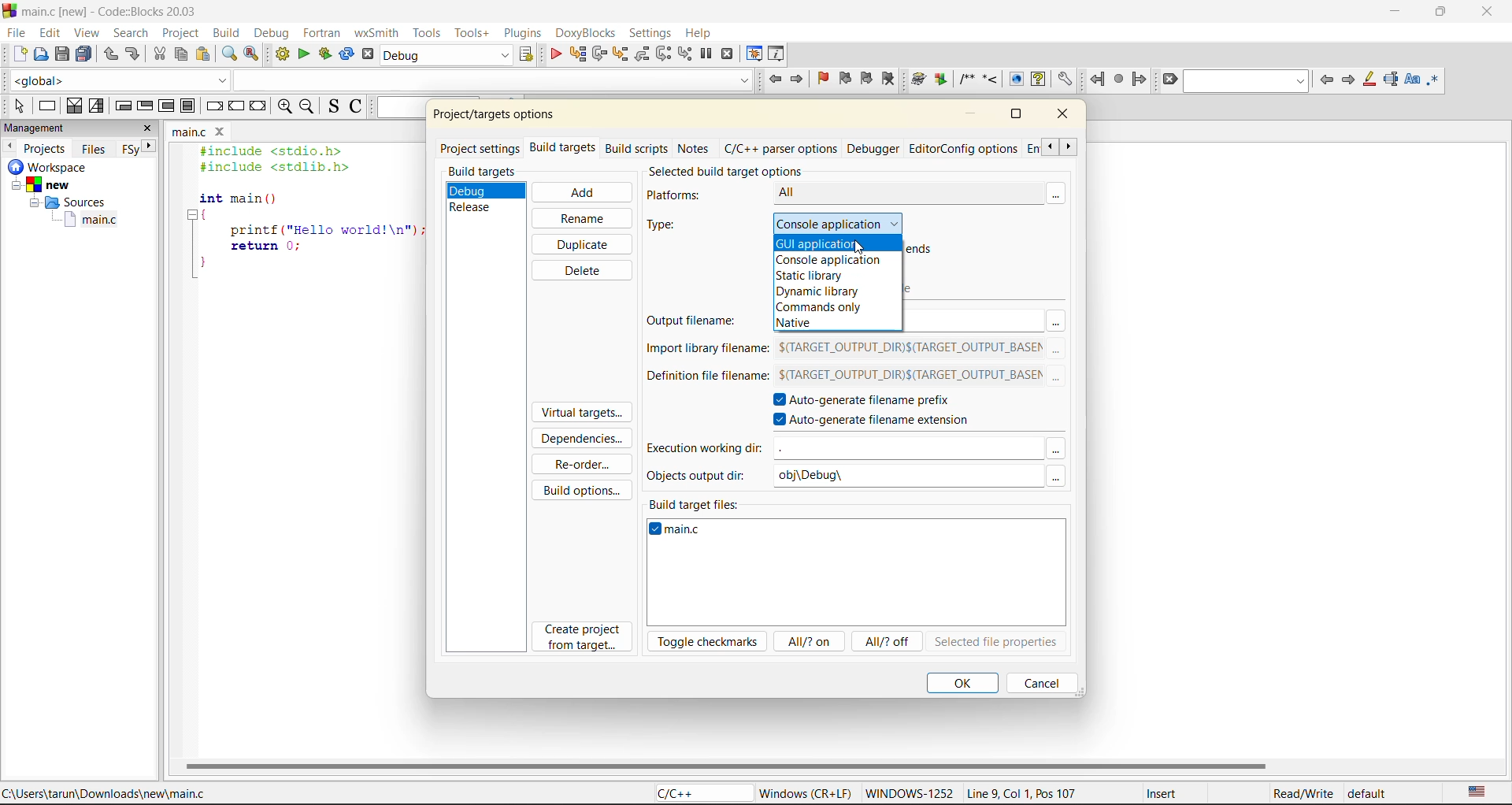 The width and height of the screenshot is (1512, 805). Describe the element at coordinates (259, 108) in the screenshot. I see `return instruction` at that location.